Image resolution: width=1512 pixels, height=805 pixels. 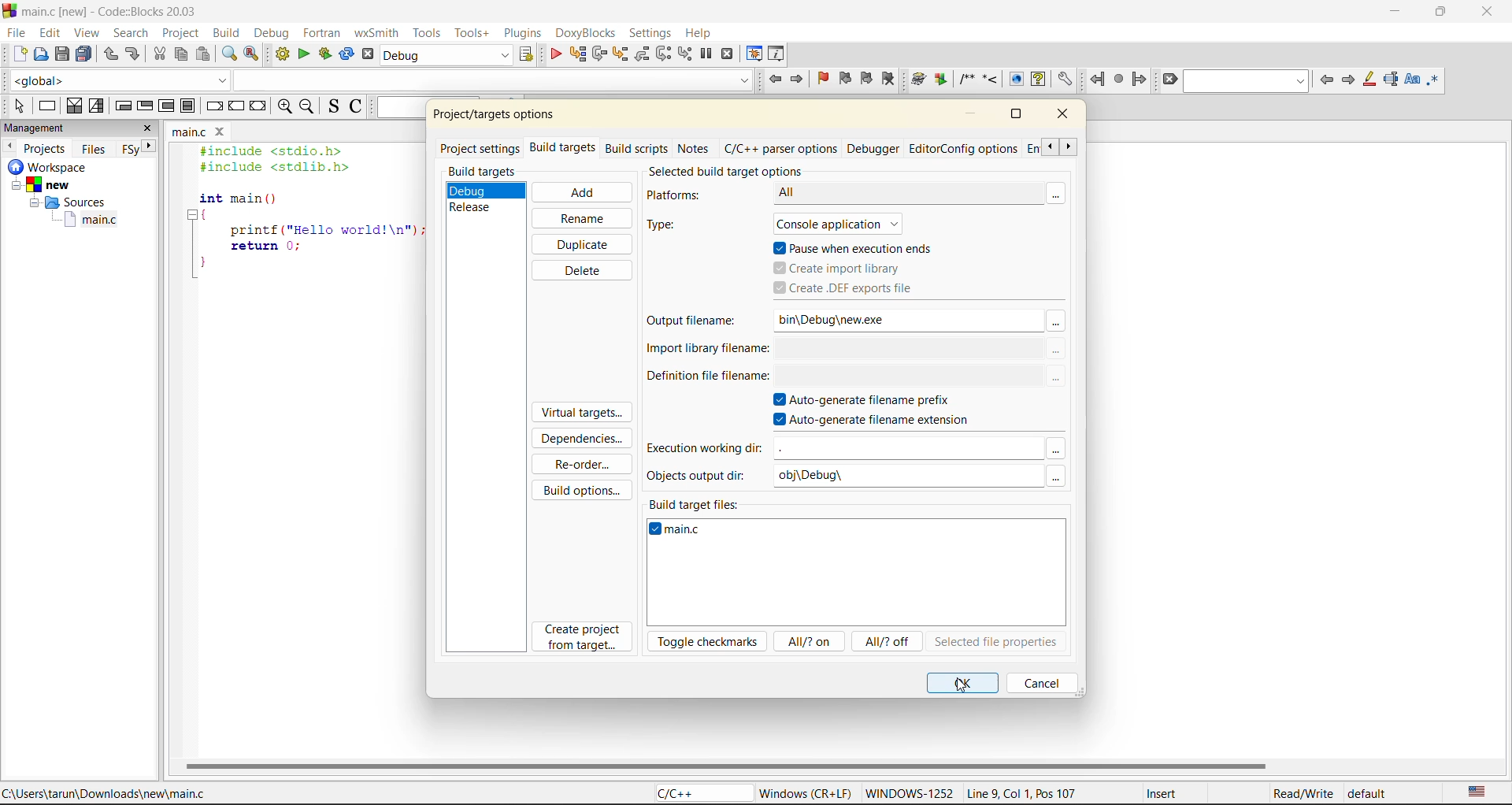 I want to click on previous, so click(x=9, y=146).